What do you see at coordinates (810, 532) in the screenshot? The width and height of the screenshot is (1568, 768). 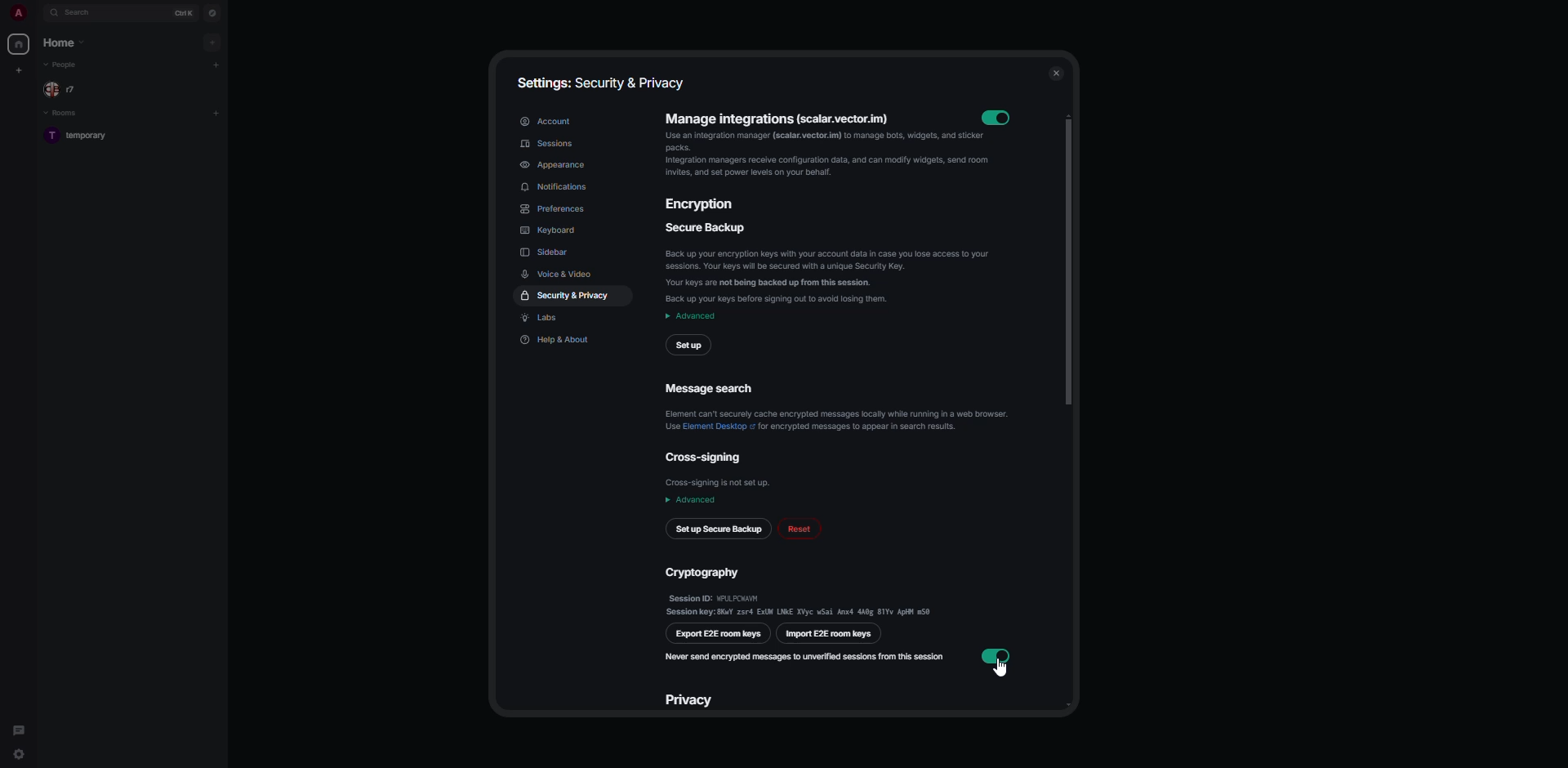 I see `reset` at bounding box center [810, 532].